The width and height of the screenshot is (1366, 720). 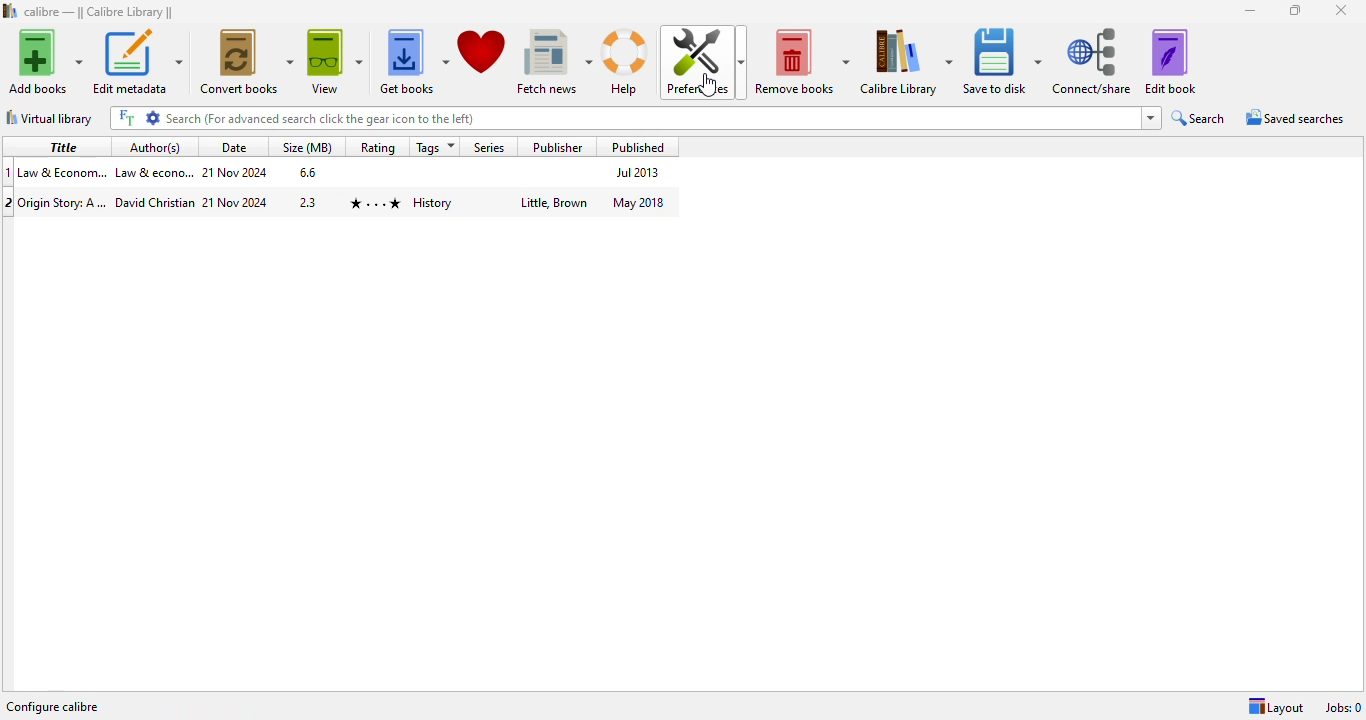 What do you see at coordinates (137, 62) in the screenshot?
I see `edit metadata` at bounding box center [137, 62].